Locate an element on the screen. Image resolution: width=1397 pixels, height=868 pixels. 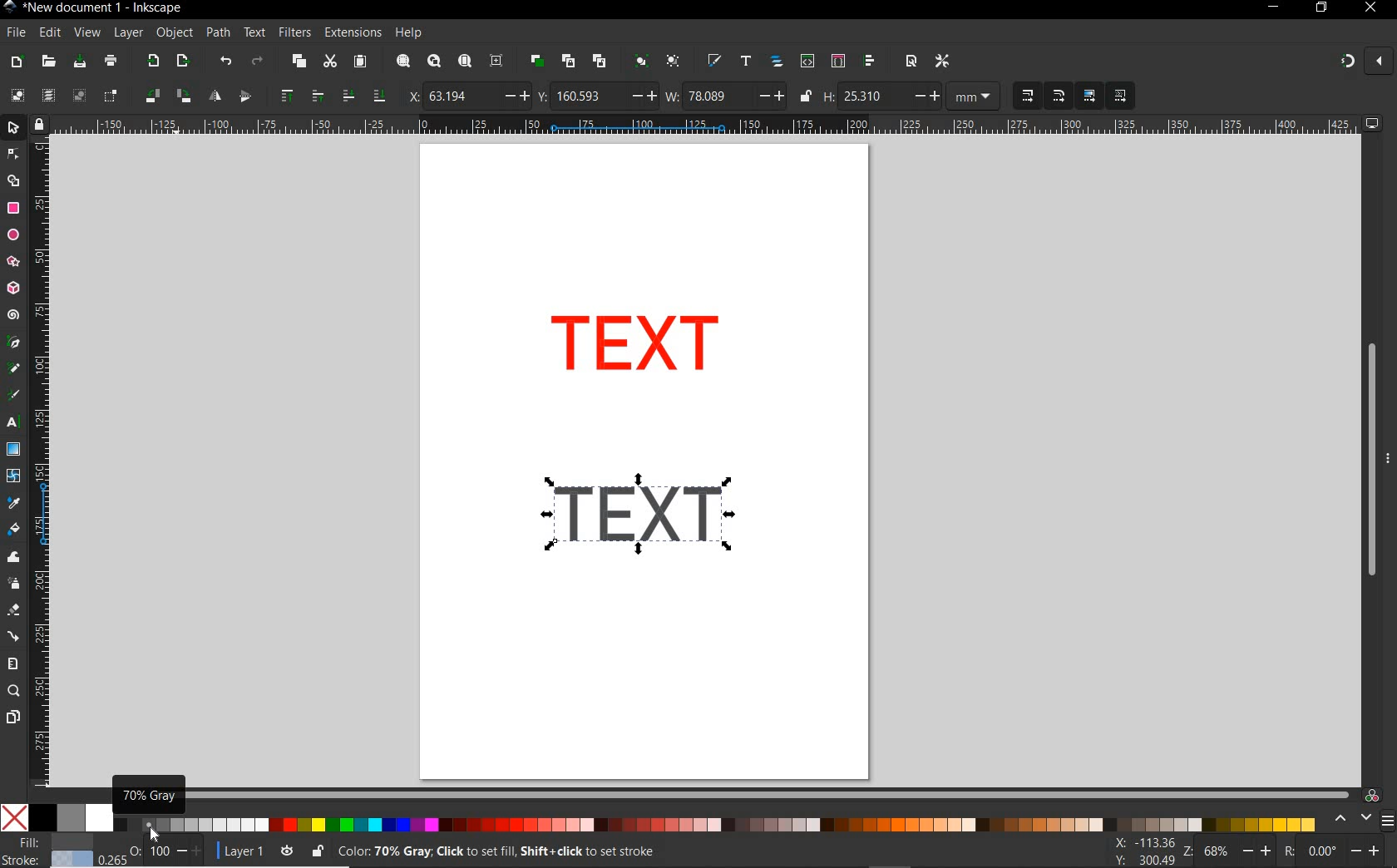
measure tool is located at coordinates (13, 663).